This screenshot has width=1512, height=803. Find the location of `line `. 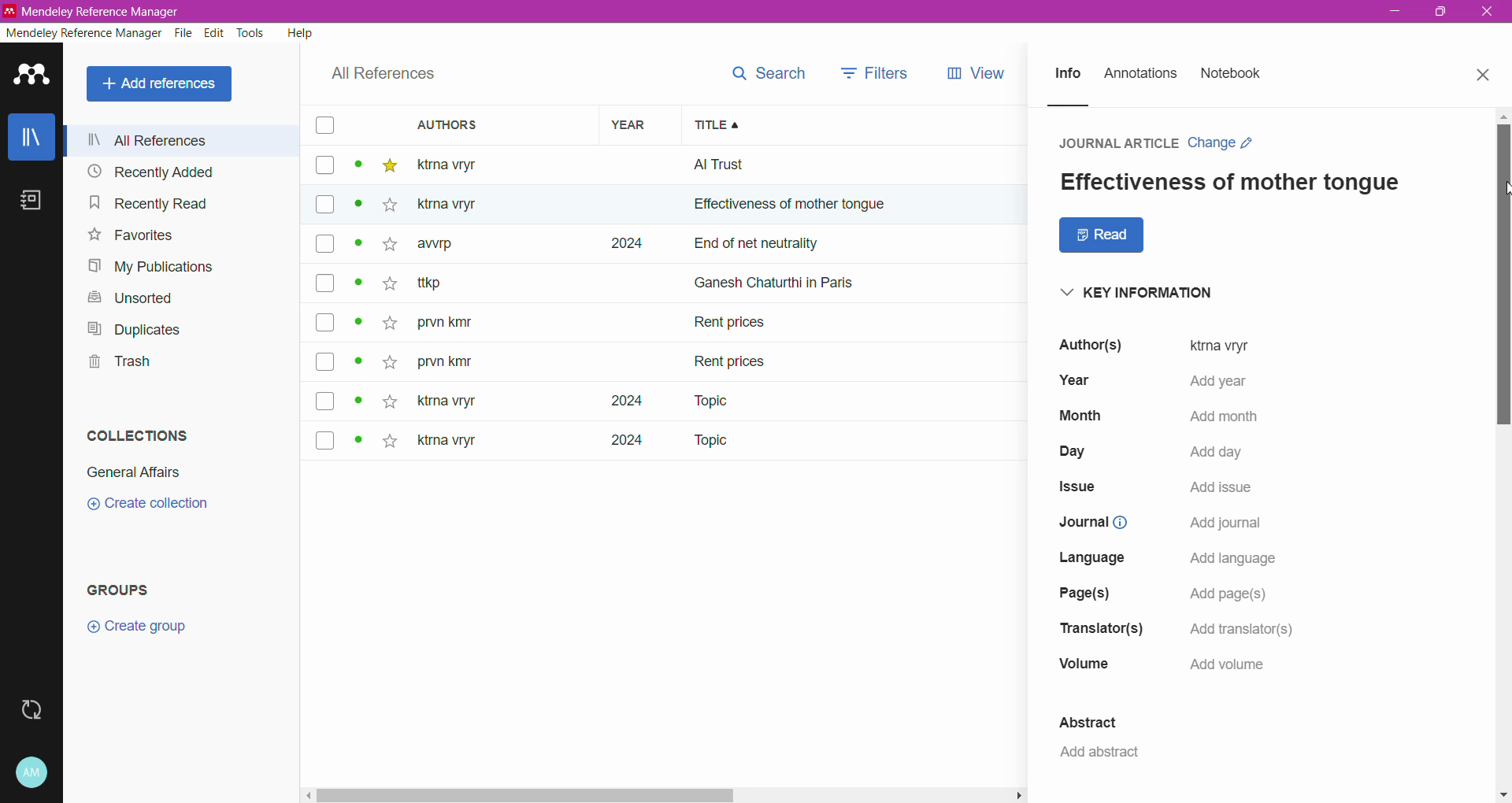

line  is located at coordinates (1083, 105).